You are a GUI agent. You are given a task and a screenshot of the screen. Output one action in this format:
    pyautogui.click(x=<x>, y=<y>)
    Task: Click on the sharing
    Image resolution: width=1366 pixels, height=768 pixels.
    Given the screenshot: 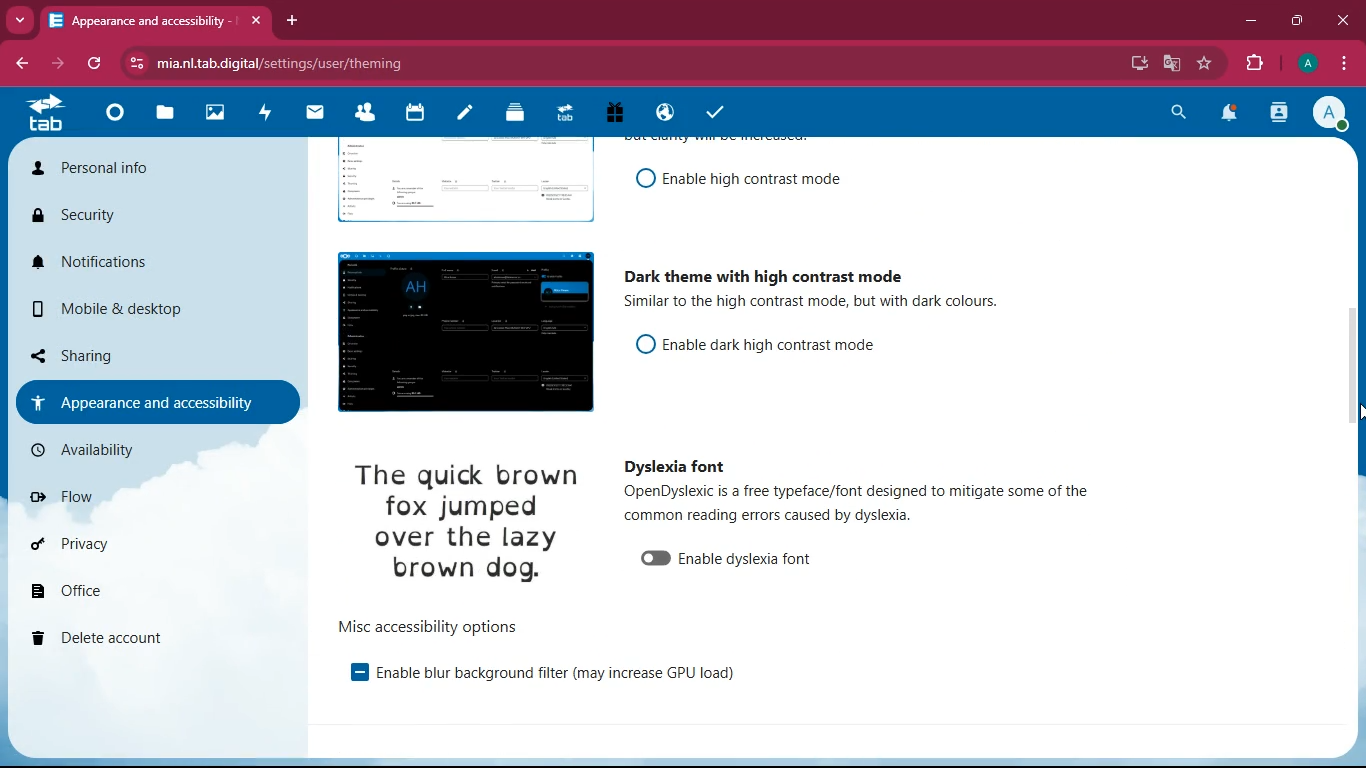 What is the action you would take?
    pyautogui.click(x=97, y=354)
    